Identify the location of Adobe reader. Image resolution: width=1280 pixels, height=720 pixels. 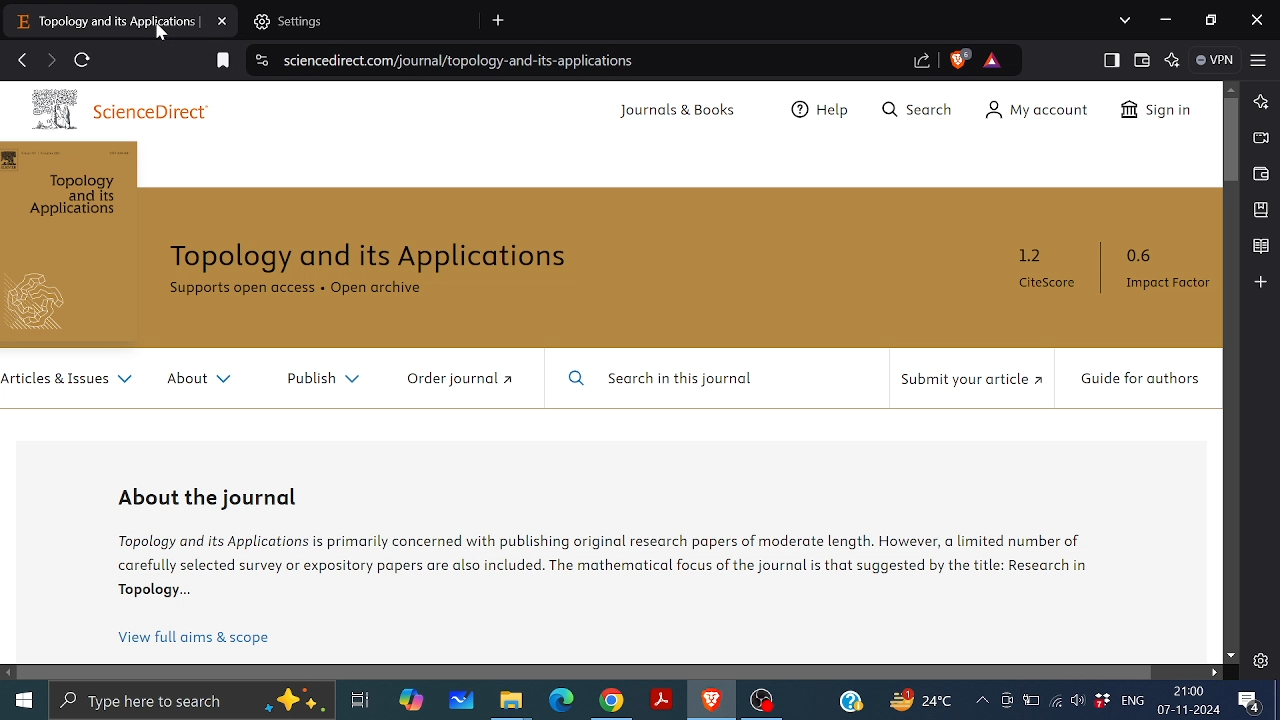
(660, 700).